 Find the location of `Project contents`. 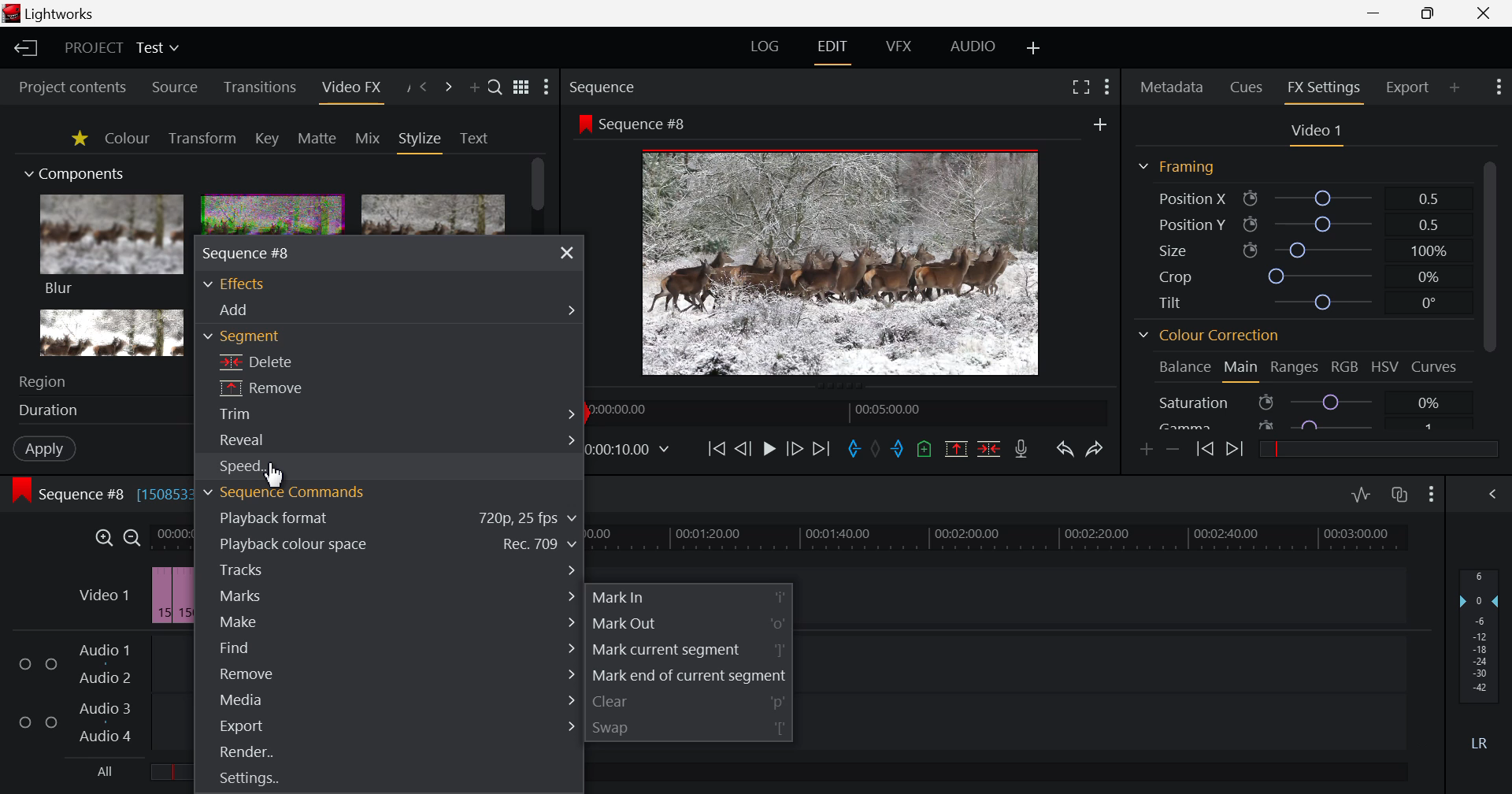

Project contents is located at coordinates (72, 85).